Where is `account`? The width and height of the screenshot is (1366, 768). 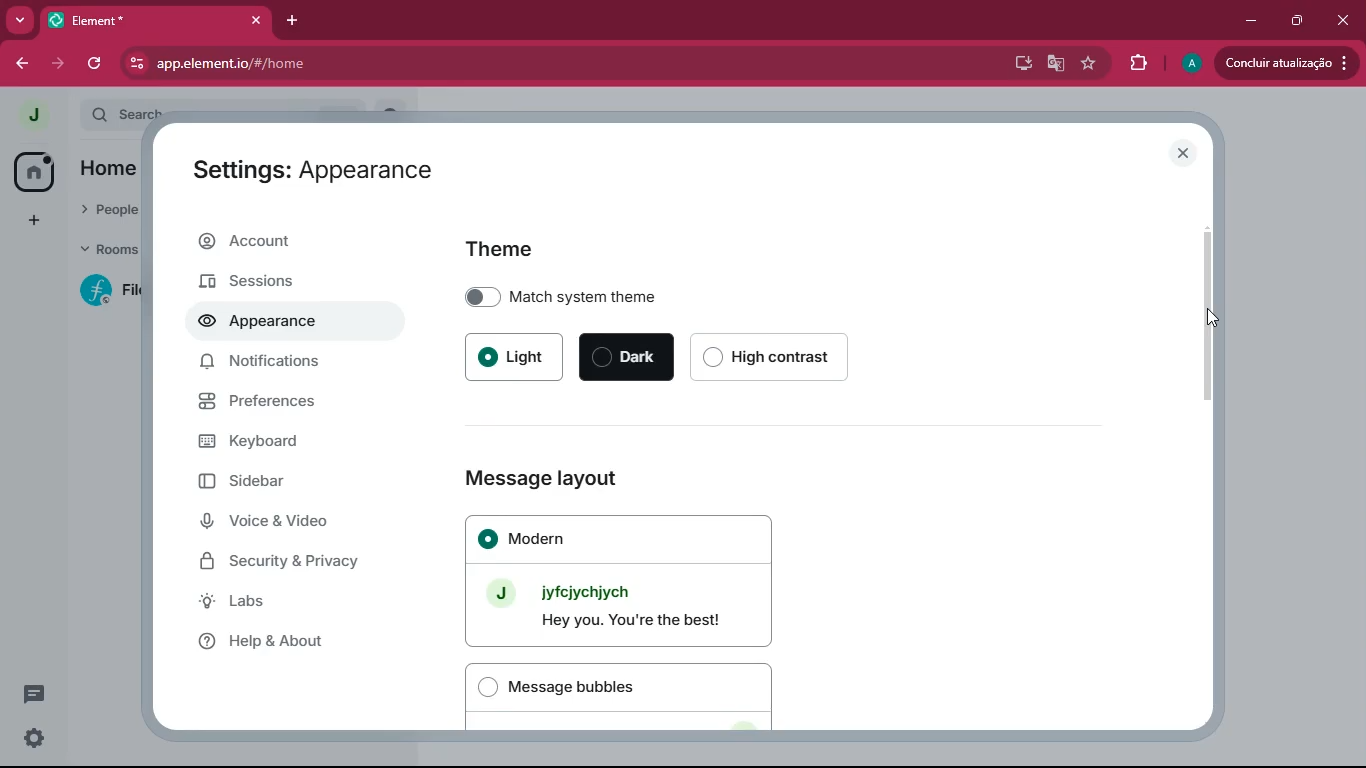
account is located at coordinates (294, 244).